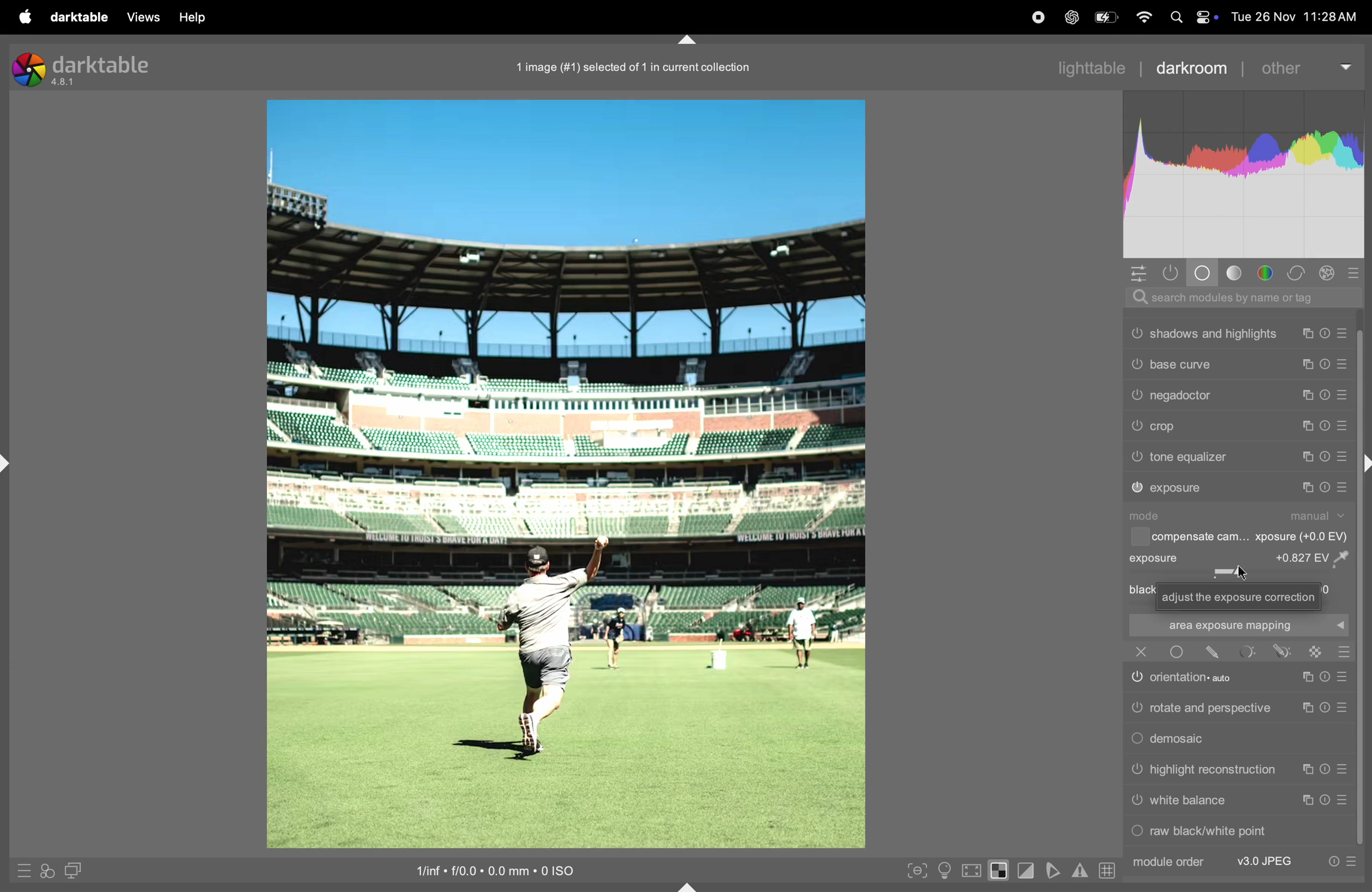 The height and width of the screenshot is (892, 1372). Describe the element at coordinates (629, 65) in the screenshot. I see `image collection` at that location.